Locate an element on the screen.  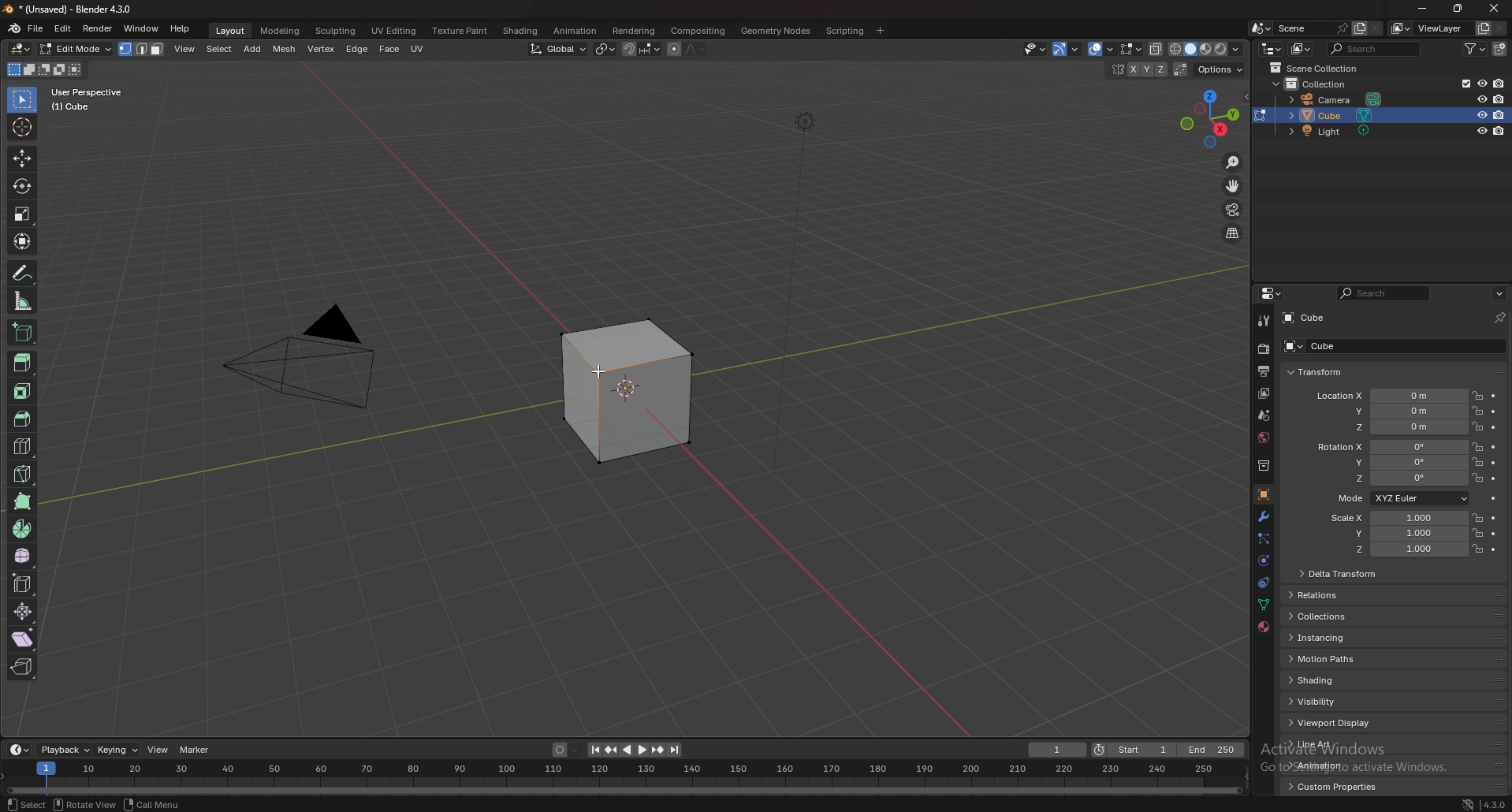
rotation x is located at coordinates (1387, 449).